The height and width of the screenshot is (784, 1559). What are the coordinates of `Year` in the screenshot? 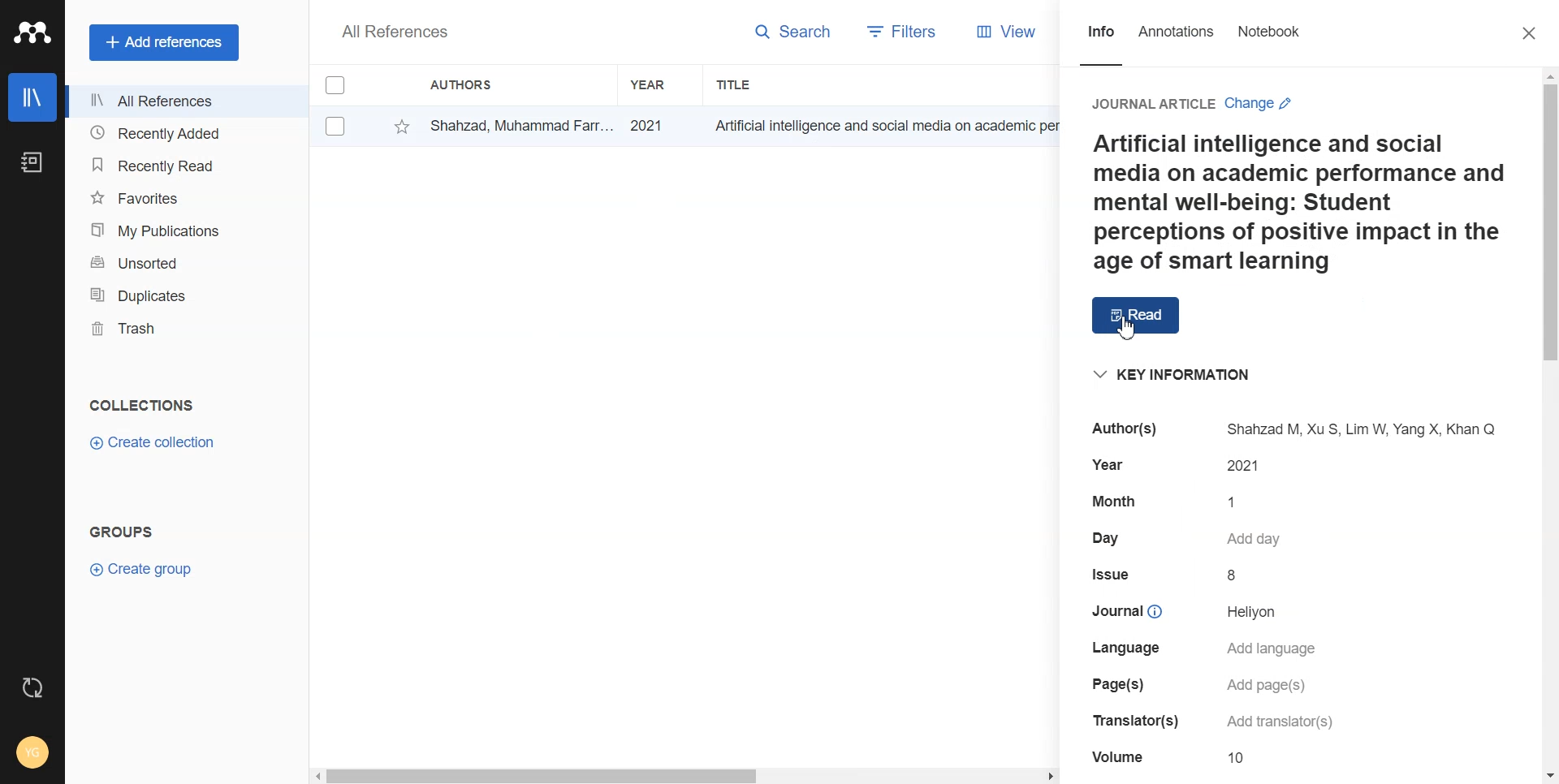 It's located at (650, 82).